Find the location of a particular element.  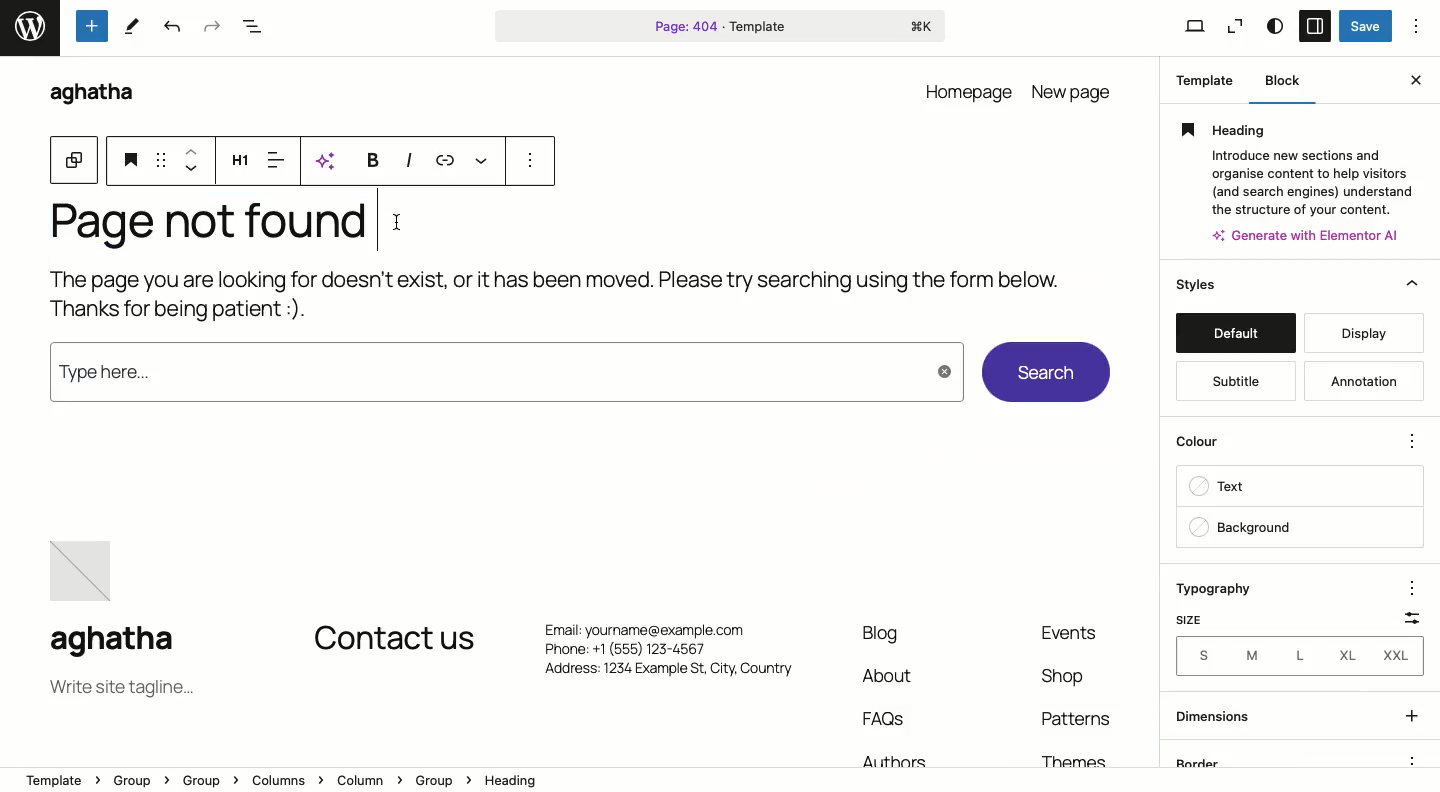

Undo is located at coordinates (171, 27).